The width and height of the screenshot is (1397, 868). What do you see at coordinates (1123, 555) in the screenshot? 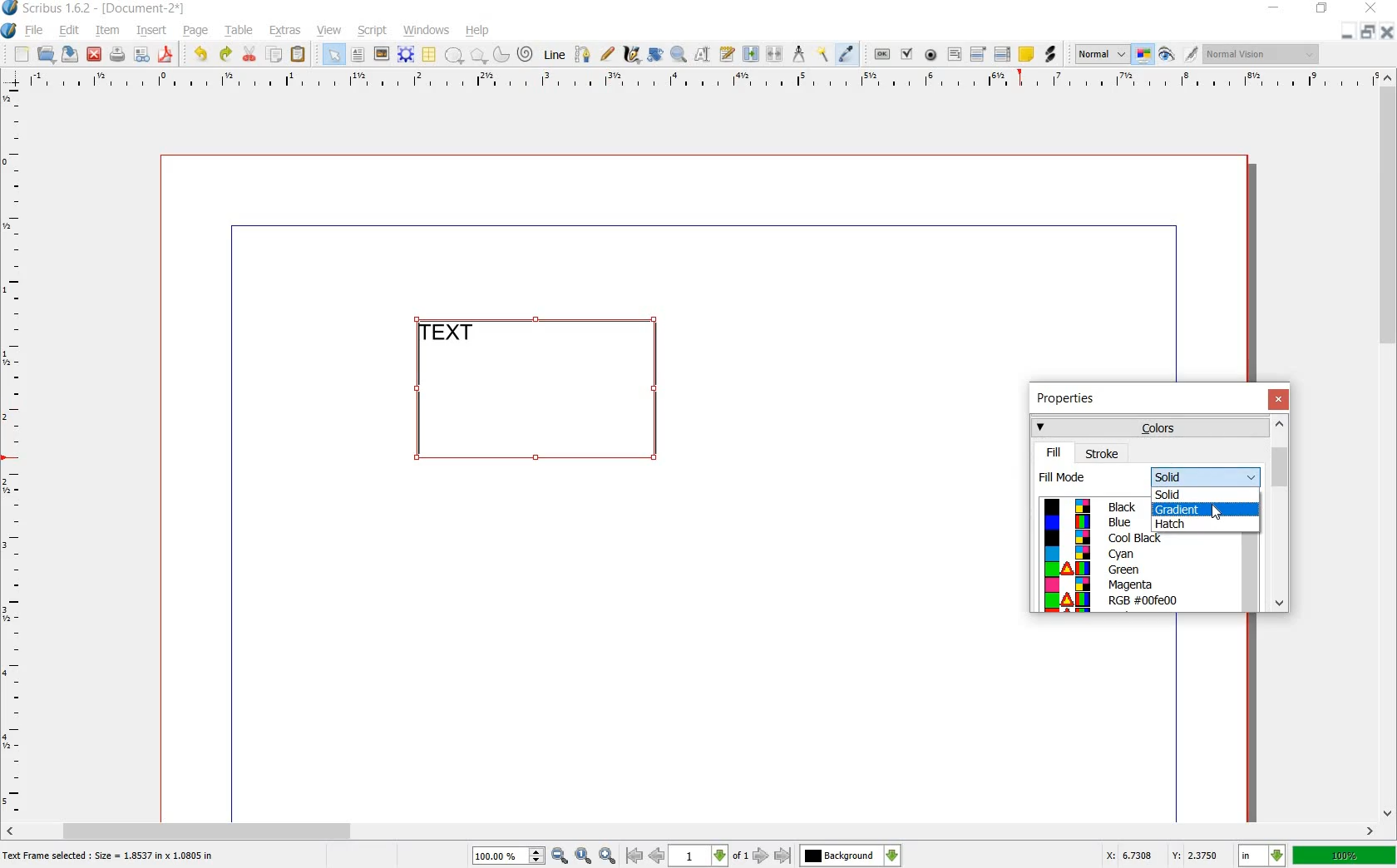
I see `cyan` at bounding box center [1123, 555].